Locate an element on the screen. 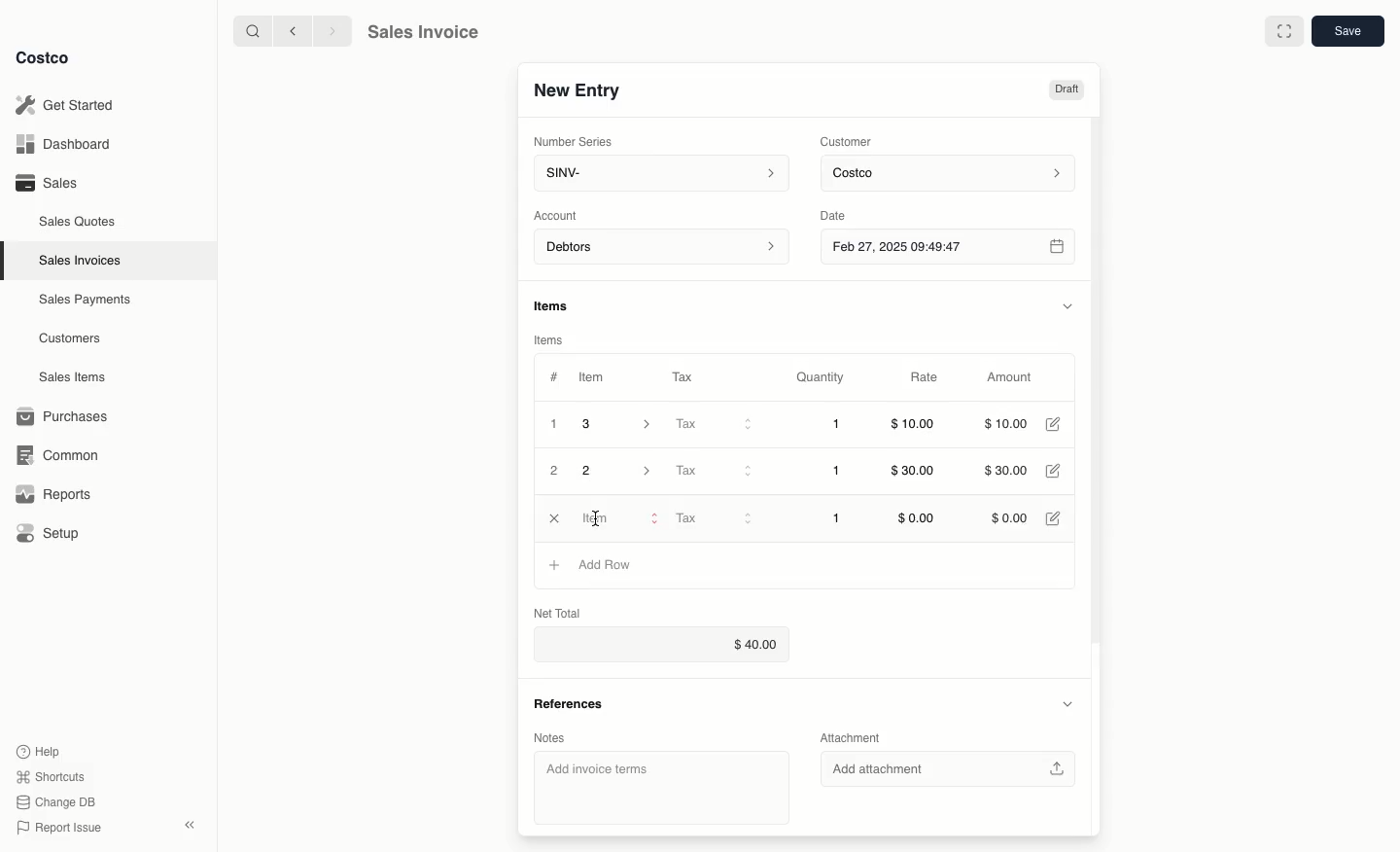 Image resolution: width=1400 pixels, height=852 pixels. Reports is located at coordinates (51, 494).